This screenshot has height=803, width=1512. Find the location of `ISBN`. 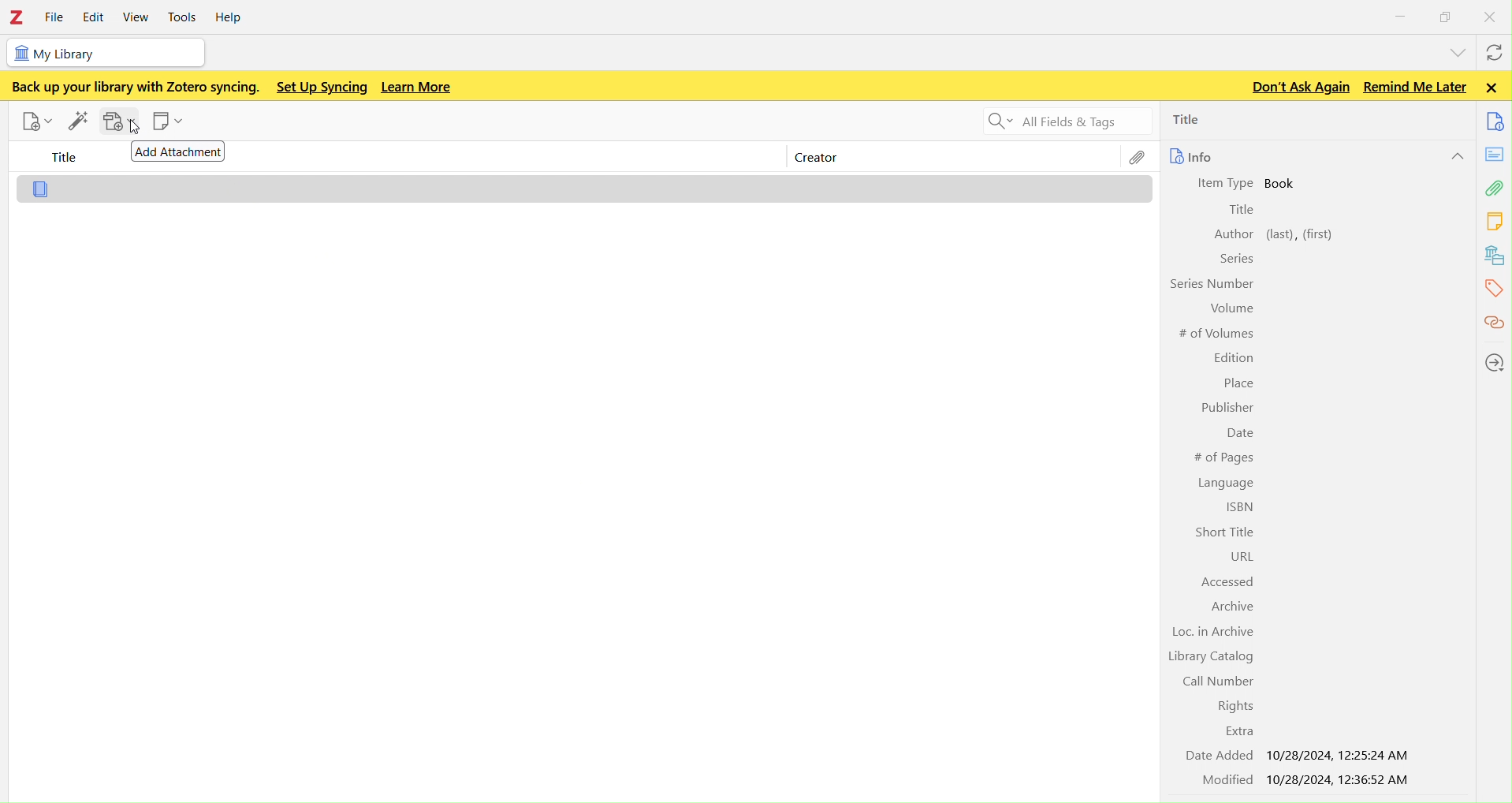

ISBN is located at coordinates (1236, 506).